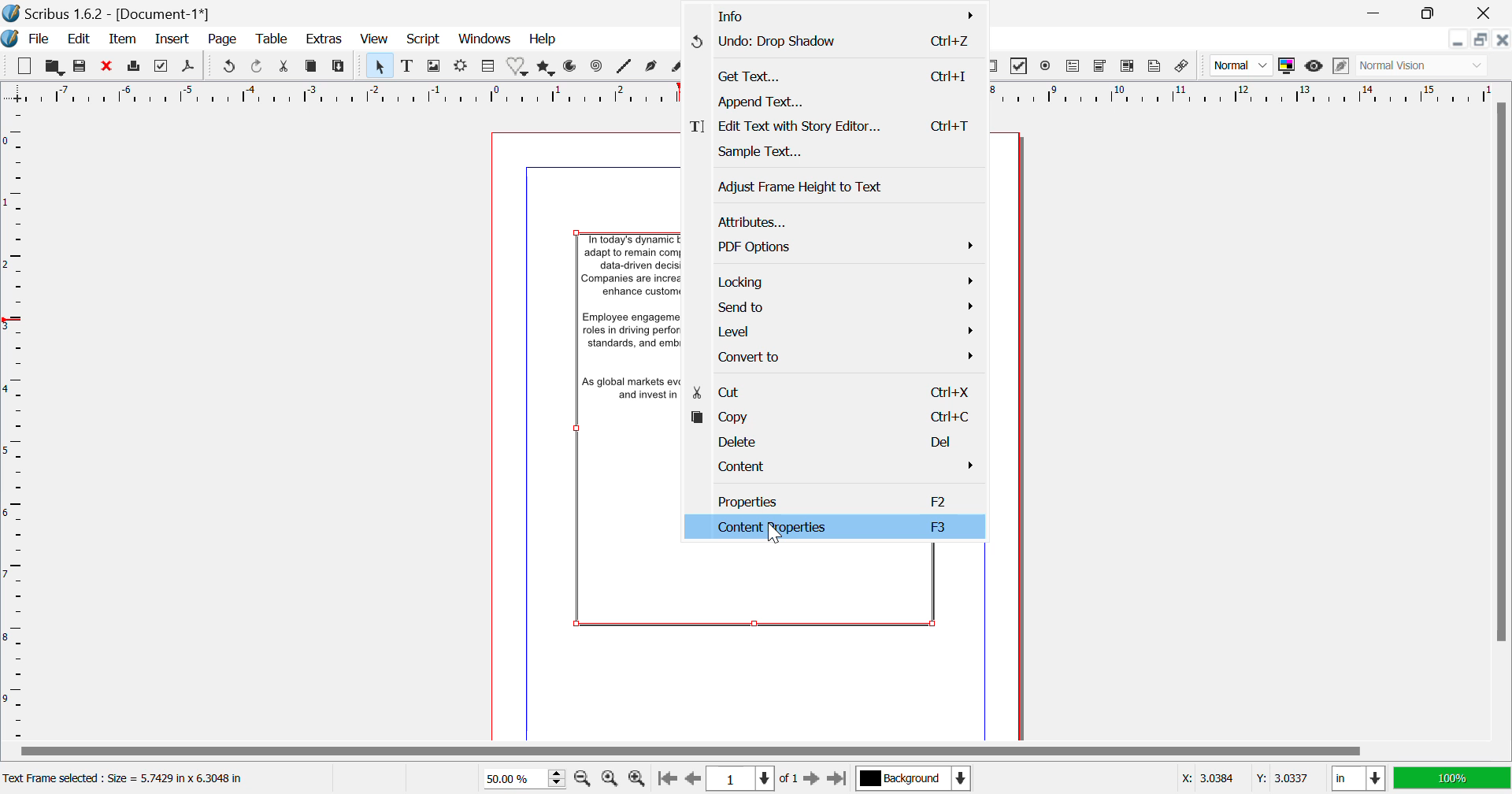 This screenshot has width=1512, height=794. I want to click on Edit, so click(79, 41).